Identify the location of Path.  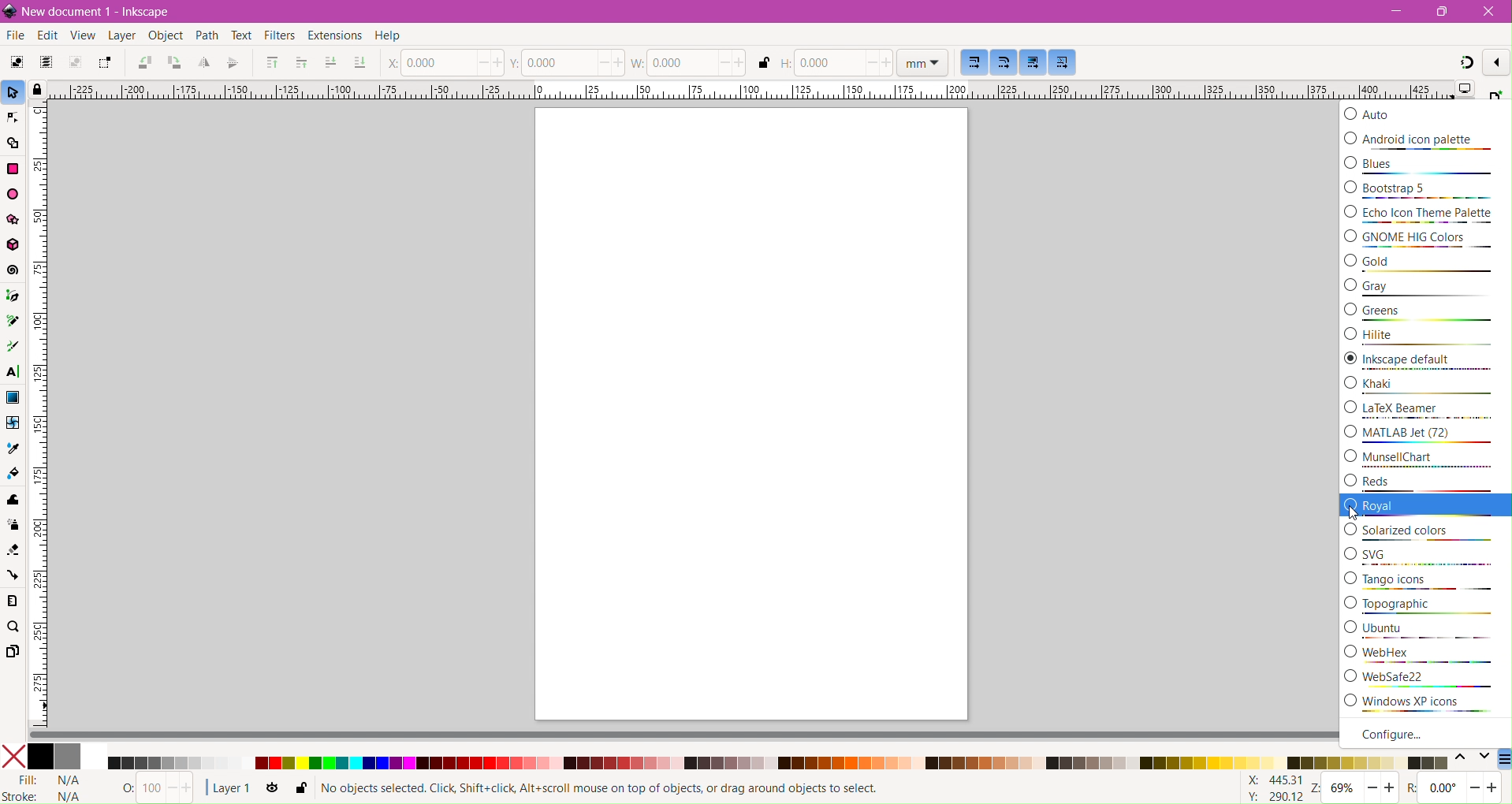
(205, 37).